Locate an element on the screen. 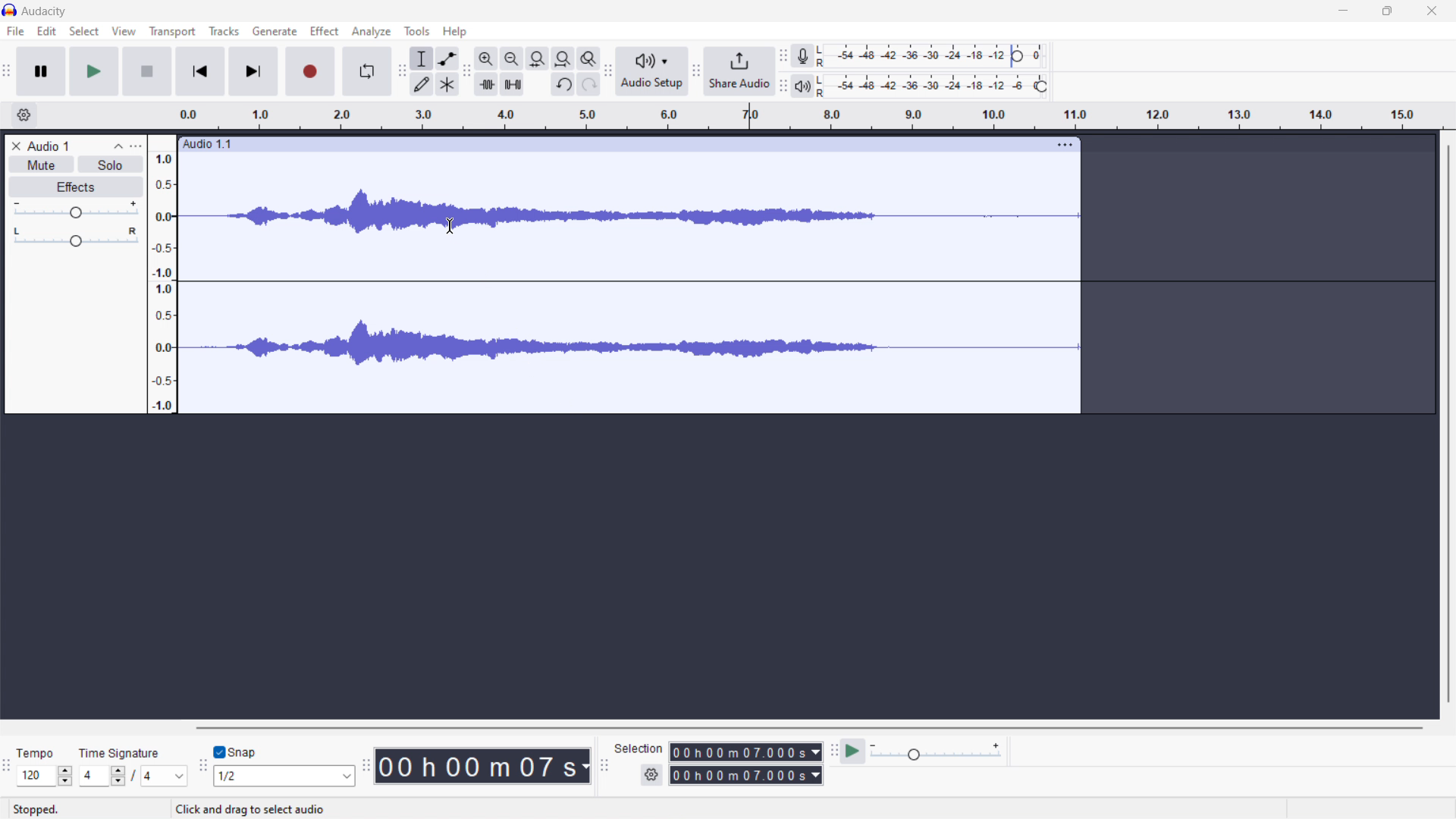 The image size is (1456, 819). more options is located at coordinates (141, 143).